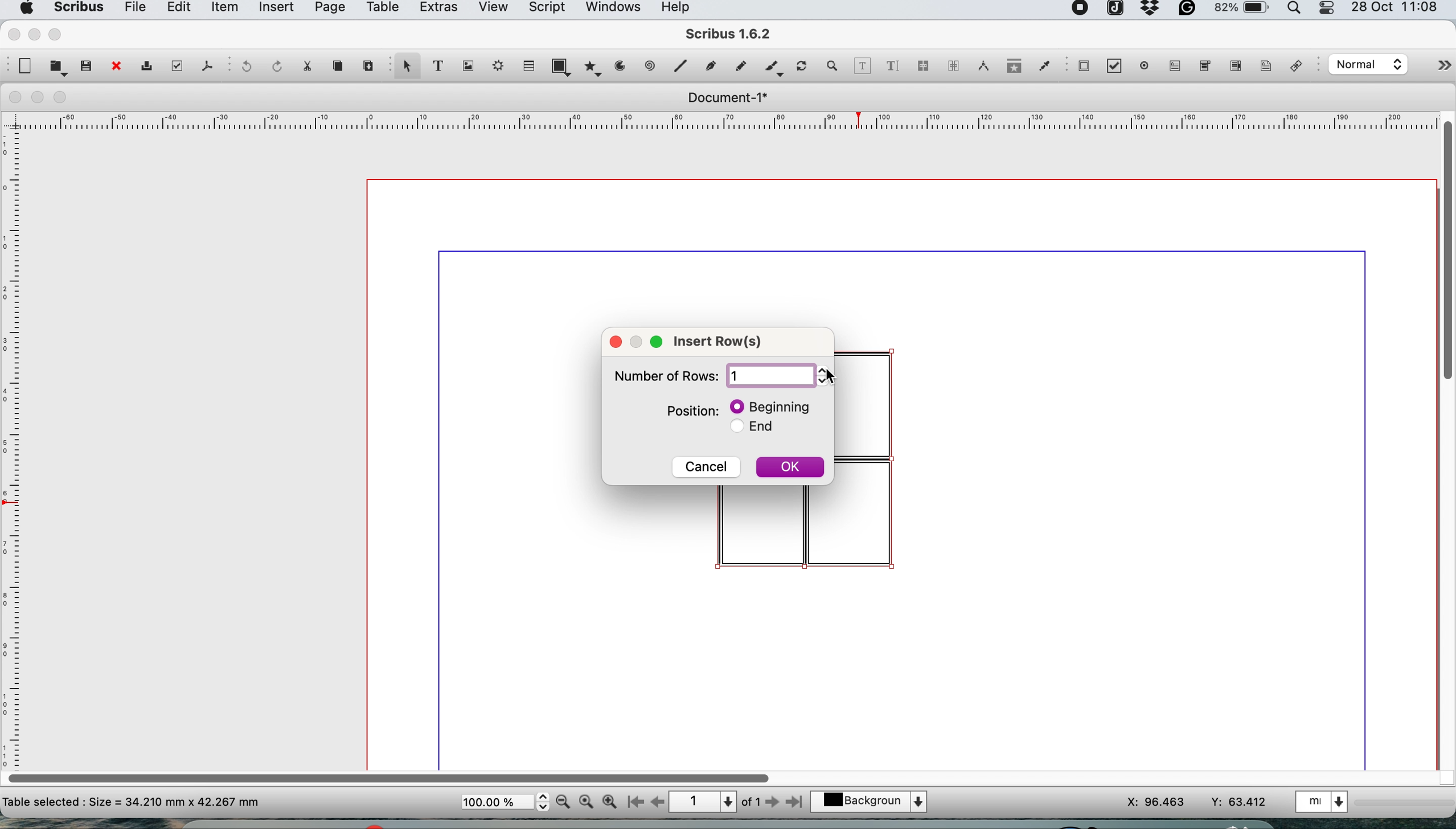  What do you see at coordinates (610, 802) in the screenshot?
I see `zoom in` at bounding box center [610, 802].